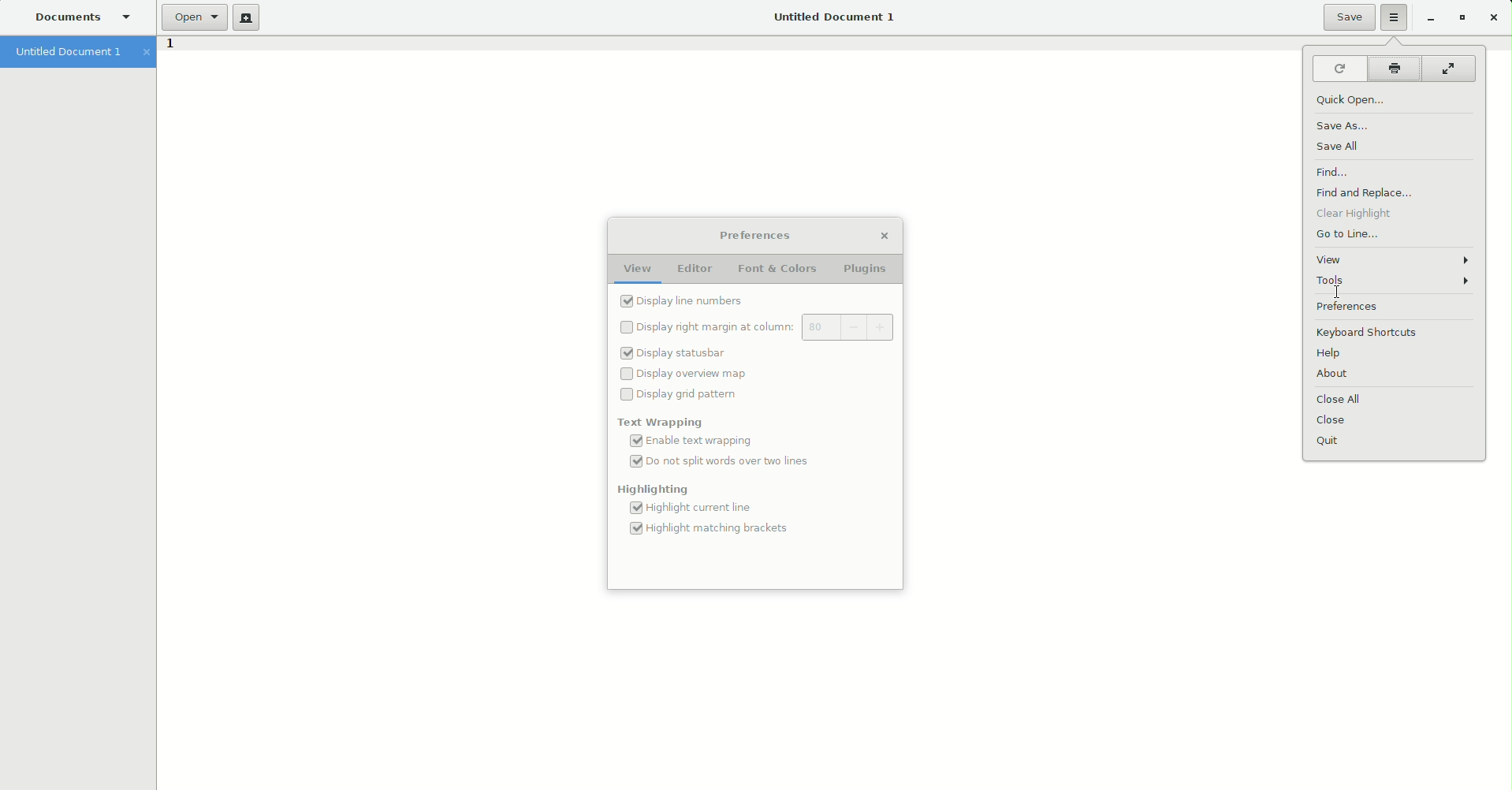  I want to click on -, so click(843, 326).